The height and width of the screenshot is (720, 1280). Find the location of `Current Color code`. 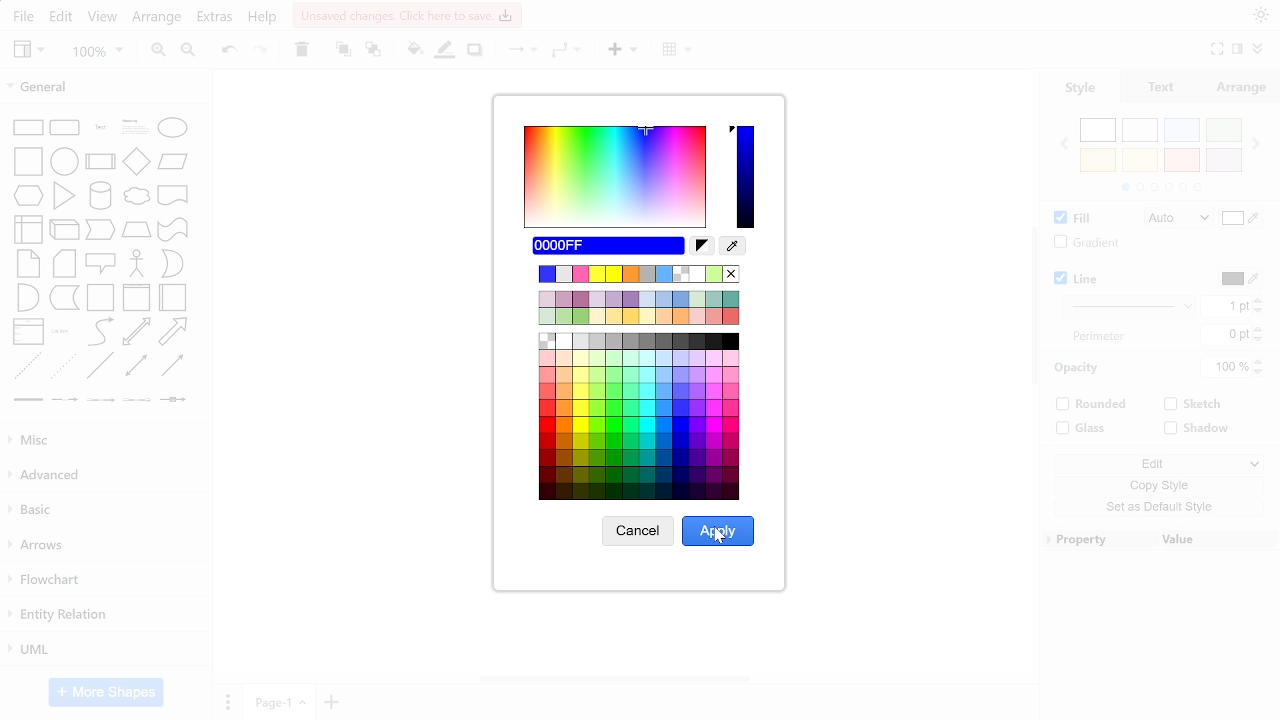

Current Color code is located at coordinates (609, 246).